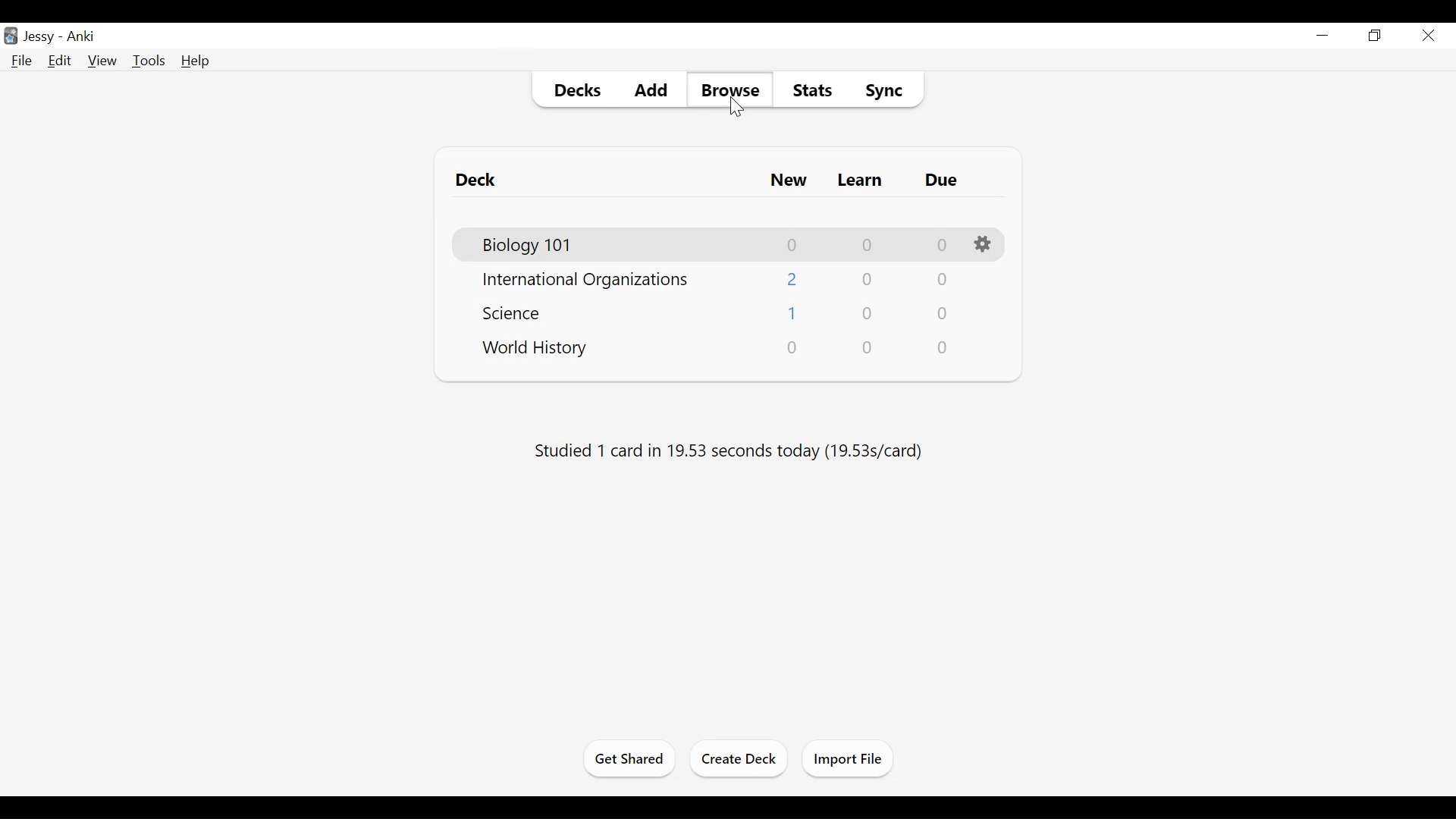 The image size is (1456, 819). I want to click on New Card Count, so click(792, 278).